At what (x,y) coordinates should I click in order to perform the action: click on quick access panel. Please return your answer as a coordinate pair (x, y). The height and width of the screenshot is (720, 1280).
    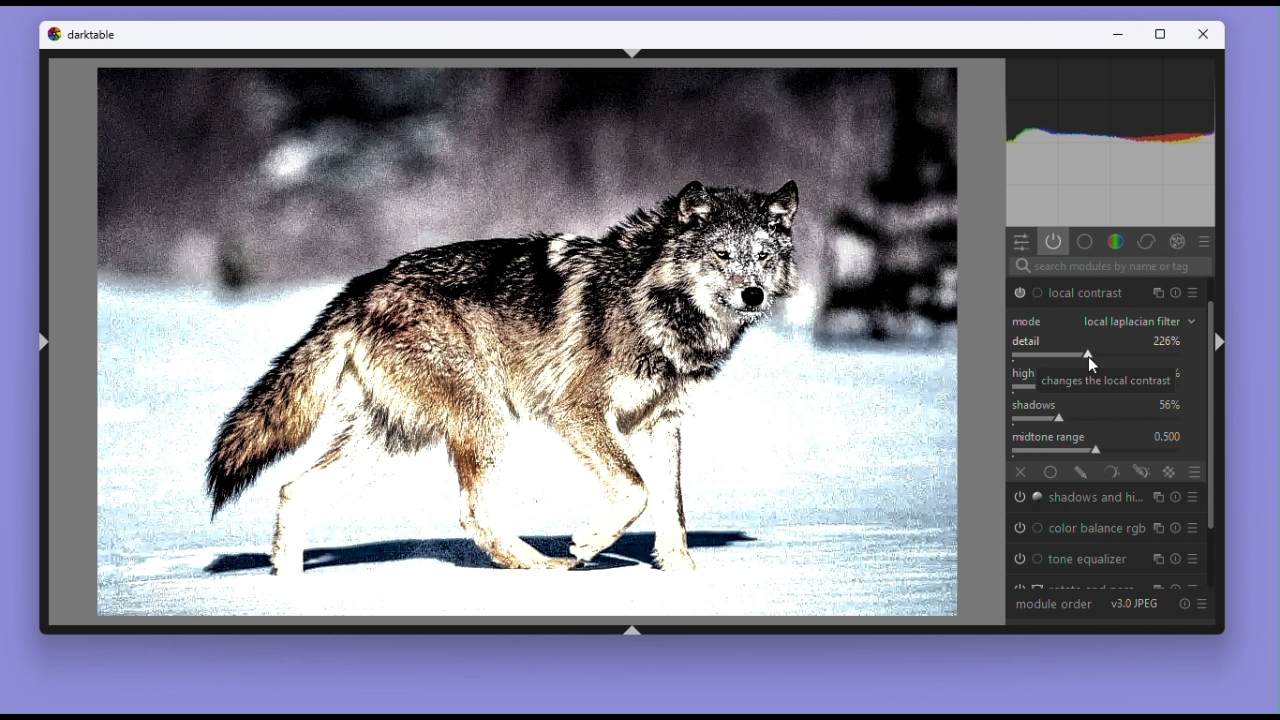
    Looking at the image, I should click on (1020, 242).